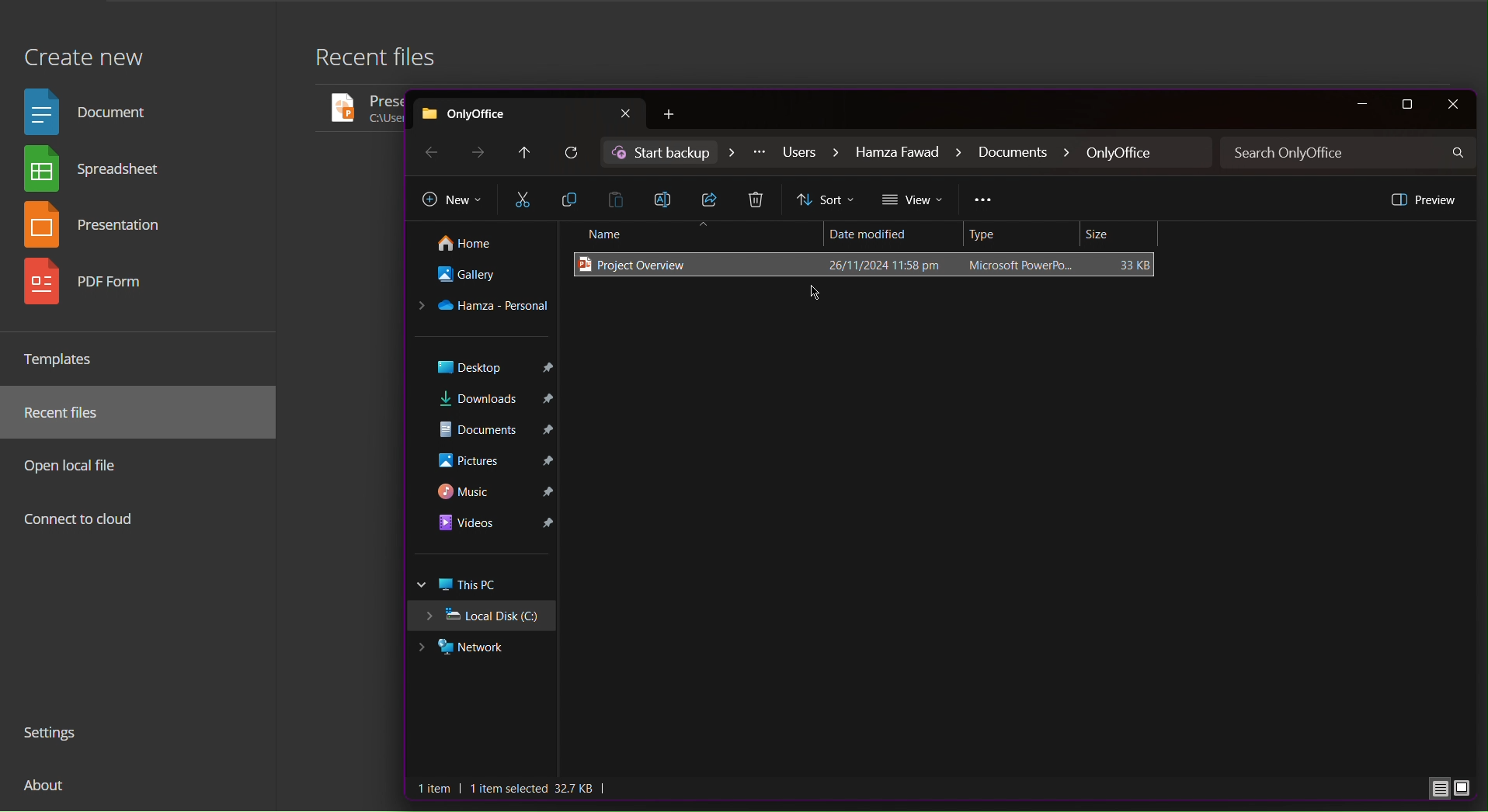  I want to click on Back, so click(429, 151).